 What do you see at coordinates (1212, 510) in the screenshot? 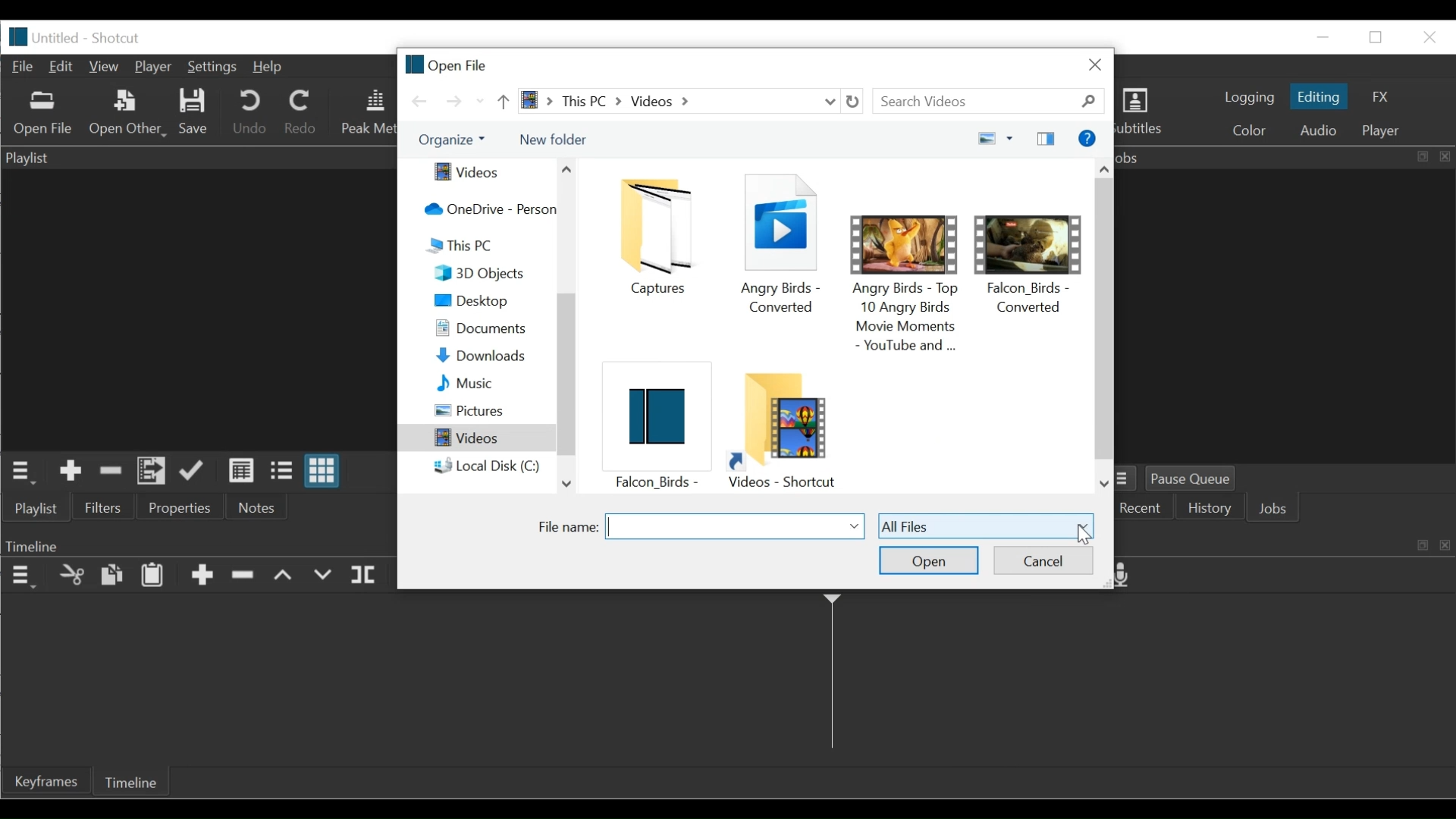
I see `History` at bounding box center [1212, 510].